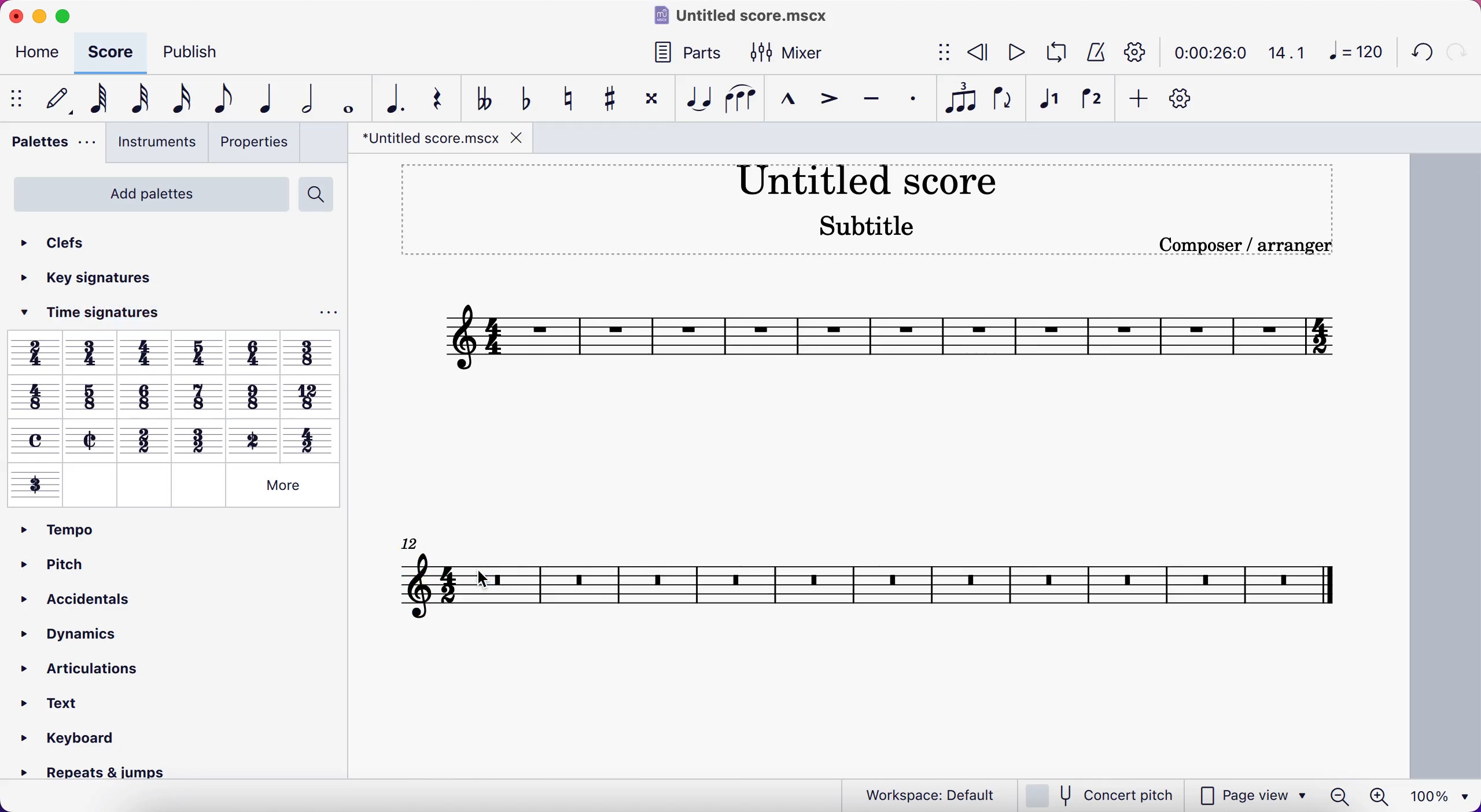 The image size is (1481, 812). Describe the element at coordinates (91, 485) in the screenshot. I see `` at that location.